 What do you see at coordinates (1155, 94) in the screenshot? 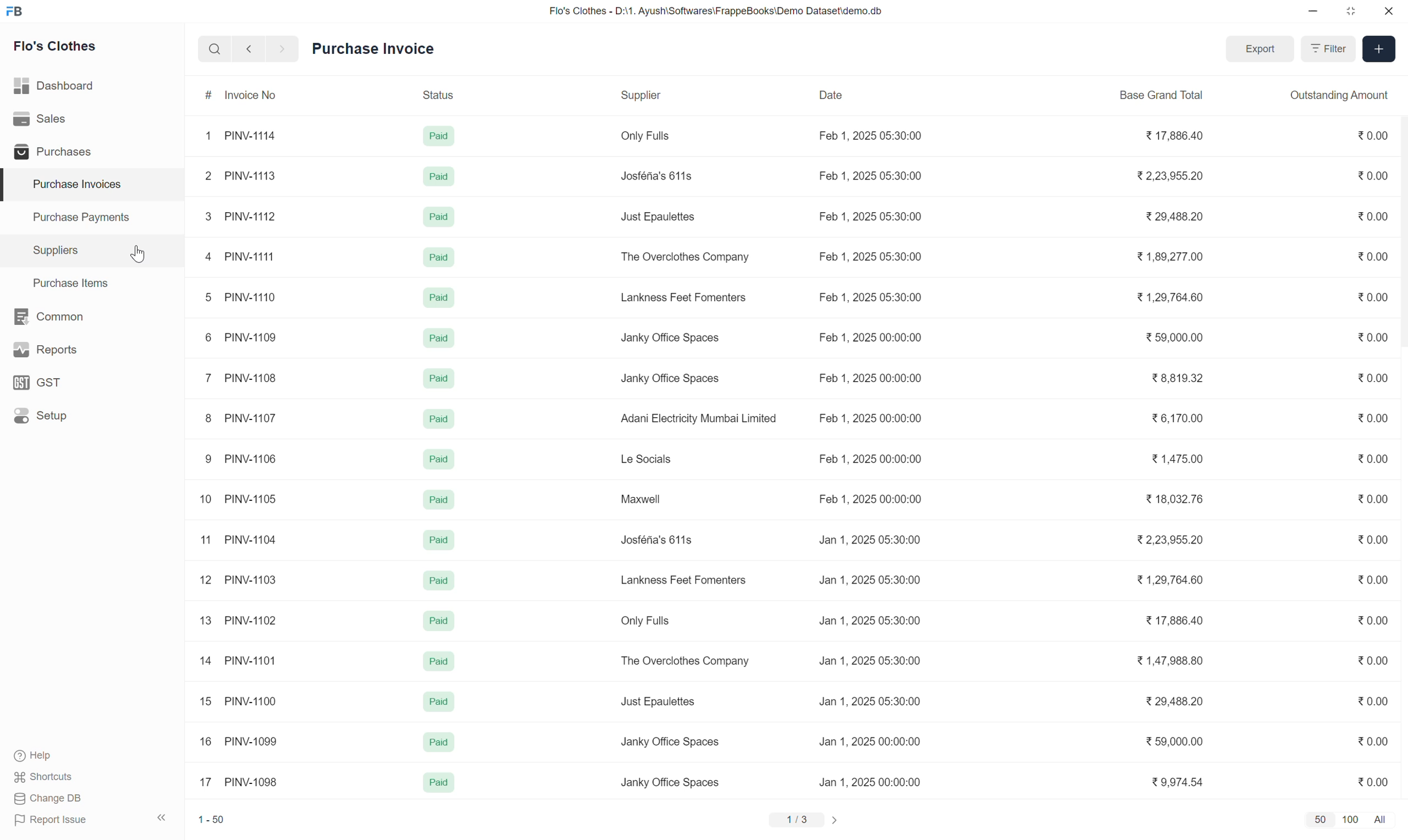
I see `Base Grand Total` at bounding box center [1155, 94].